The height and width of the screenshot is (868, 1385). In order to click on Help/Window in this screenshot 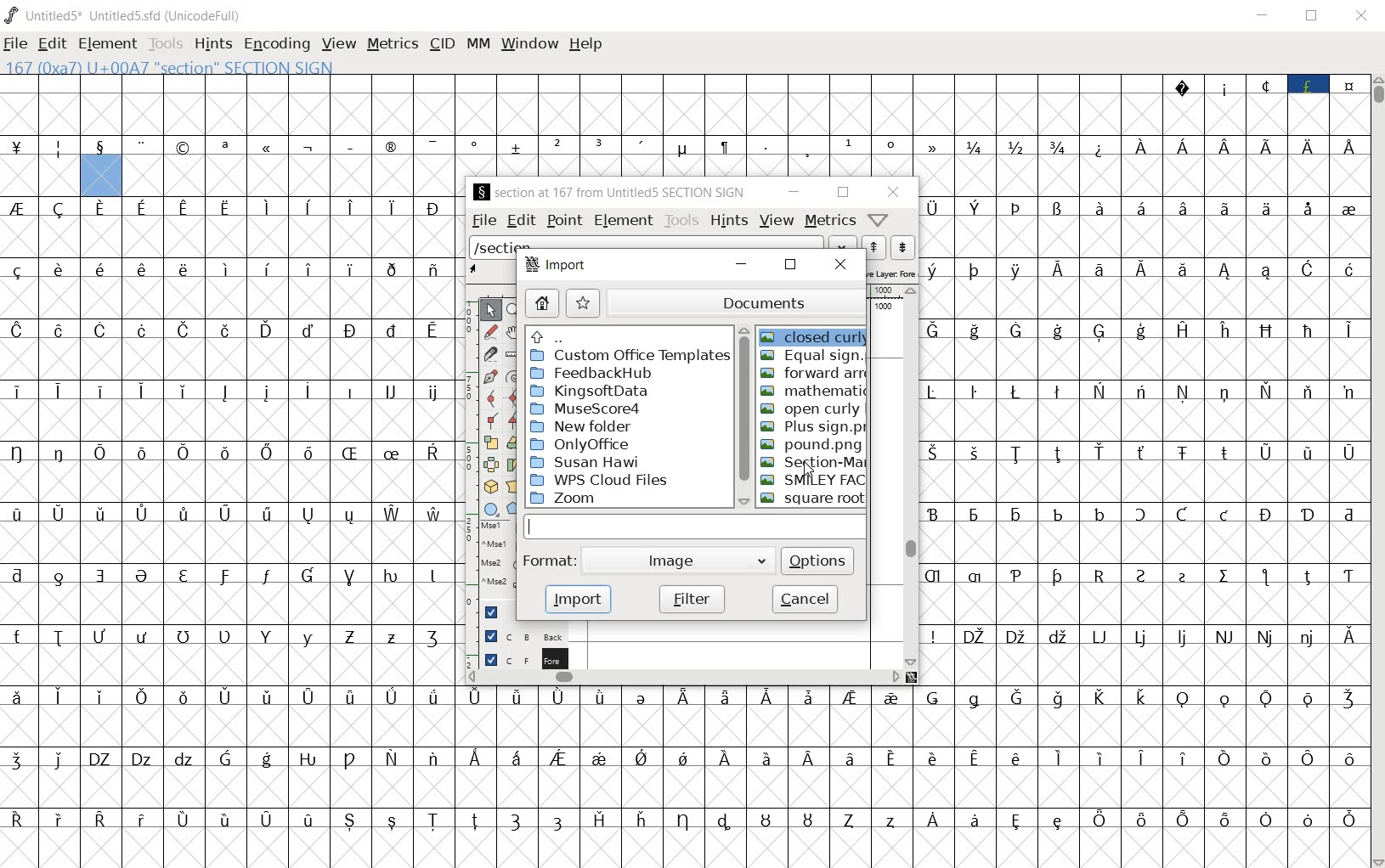, I will do `click(879, 219)`.